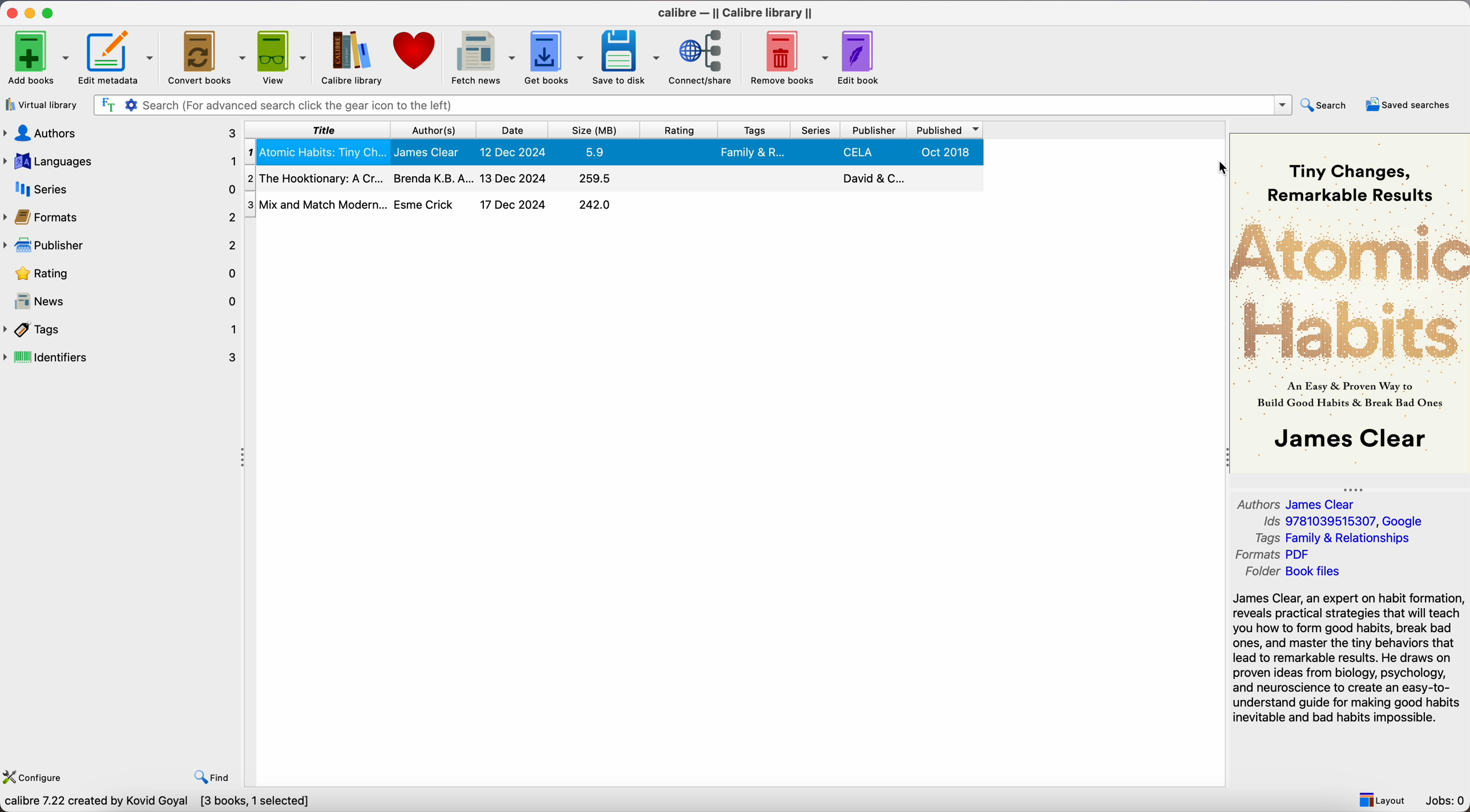 The width and height of the screenshot is (1470, 812). What do you see at coordinates (1384, 800) in the screenshot?
I see `Layout` at bounding box center [1384, 800].